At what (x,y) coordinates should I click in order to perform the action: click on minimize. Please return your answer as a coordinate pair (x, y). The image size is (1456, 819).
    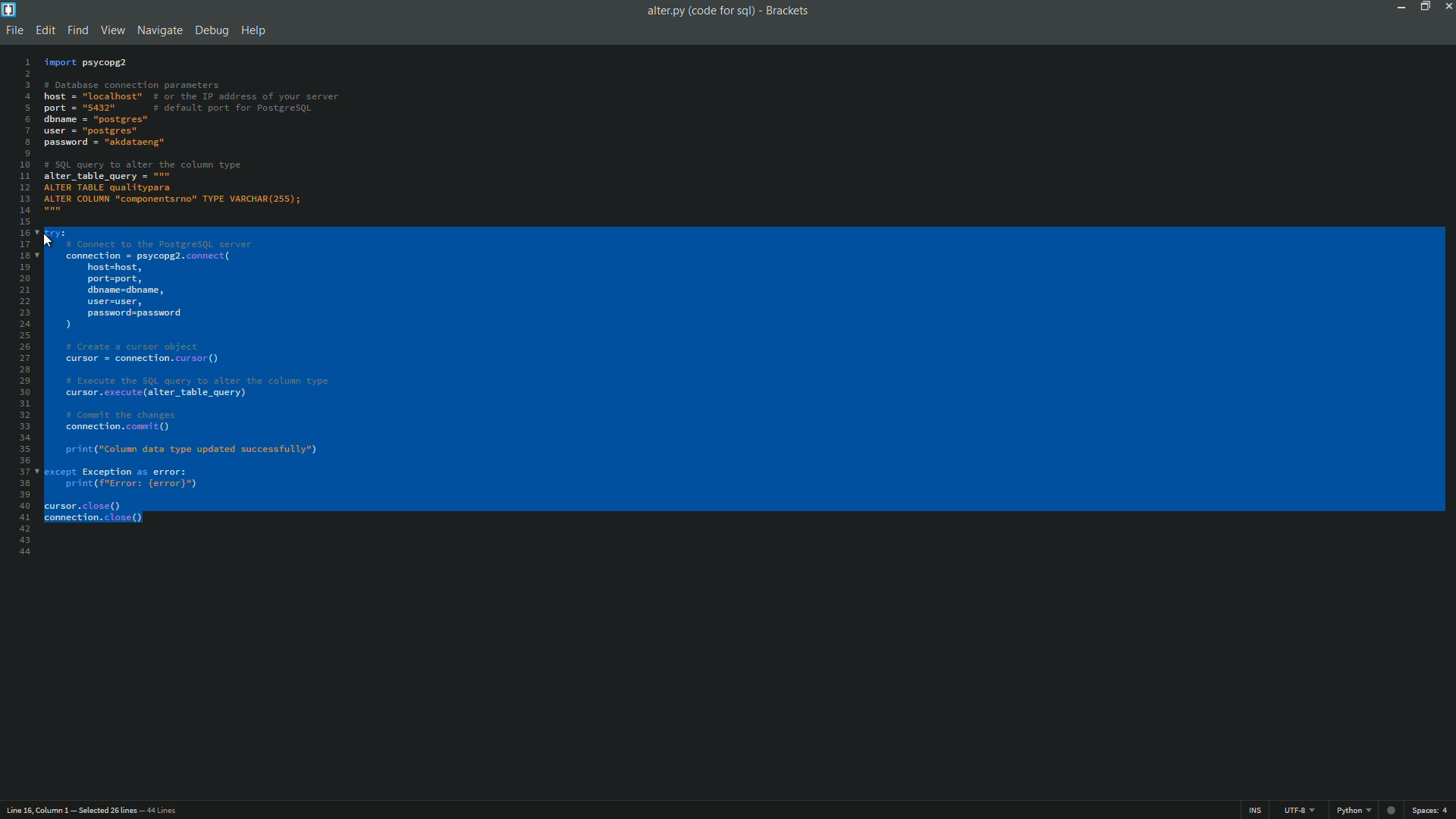
    Looking at the image, I should click on (1398, 6).